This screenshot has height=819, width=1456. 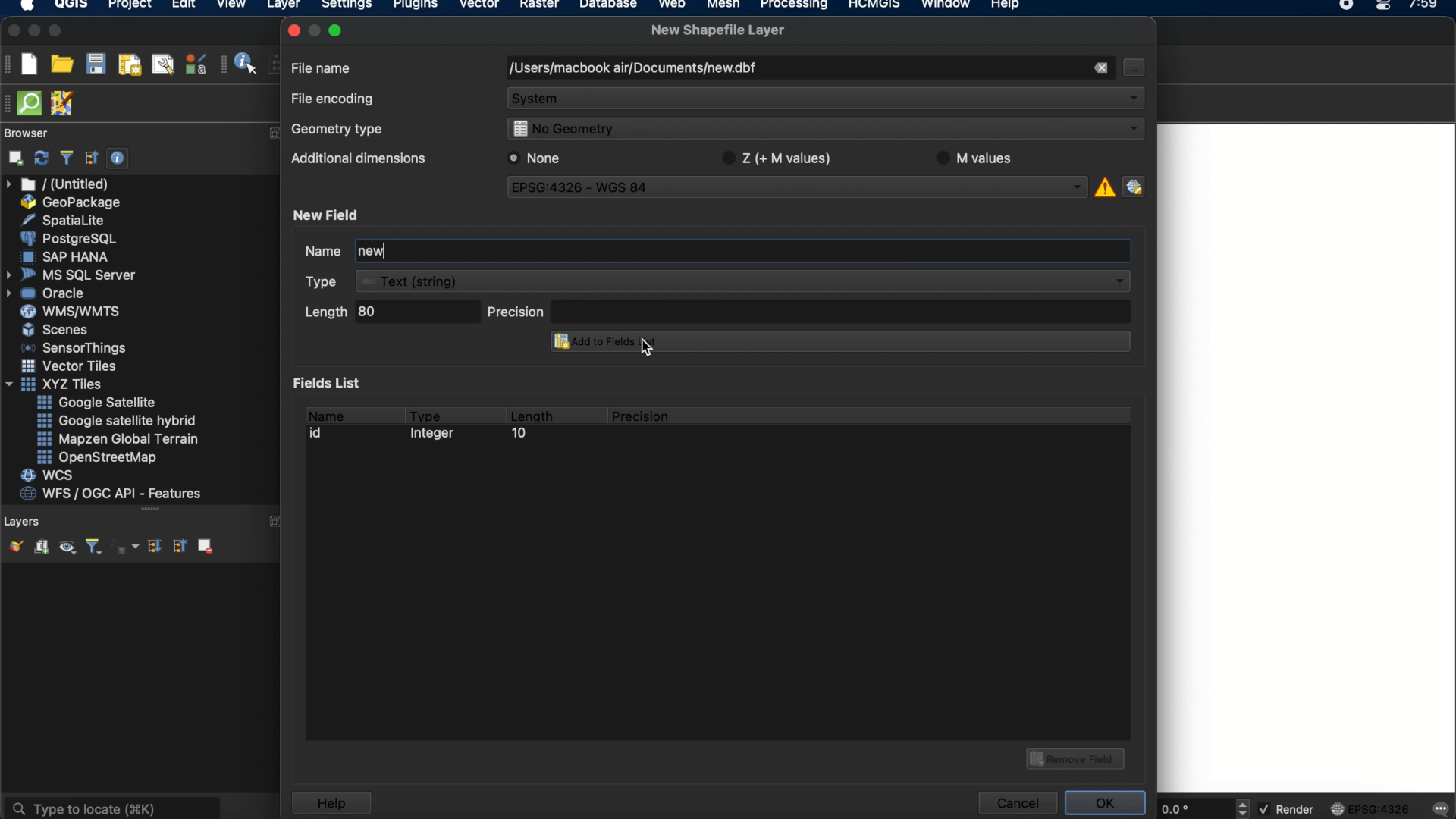 I want to click on postgresql, so click(x=68, y=239).